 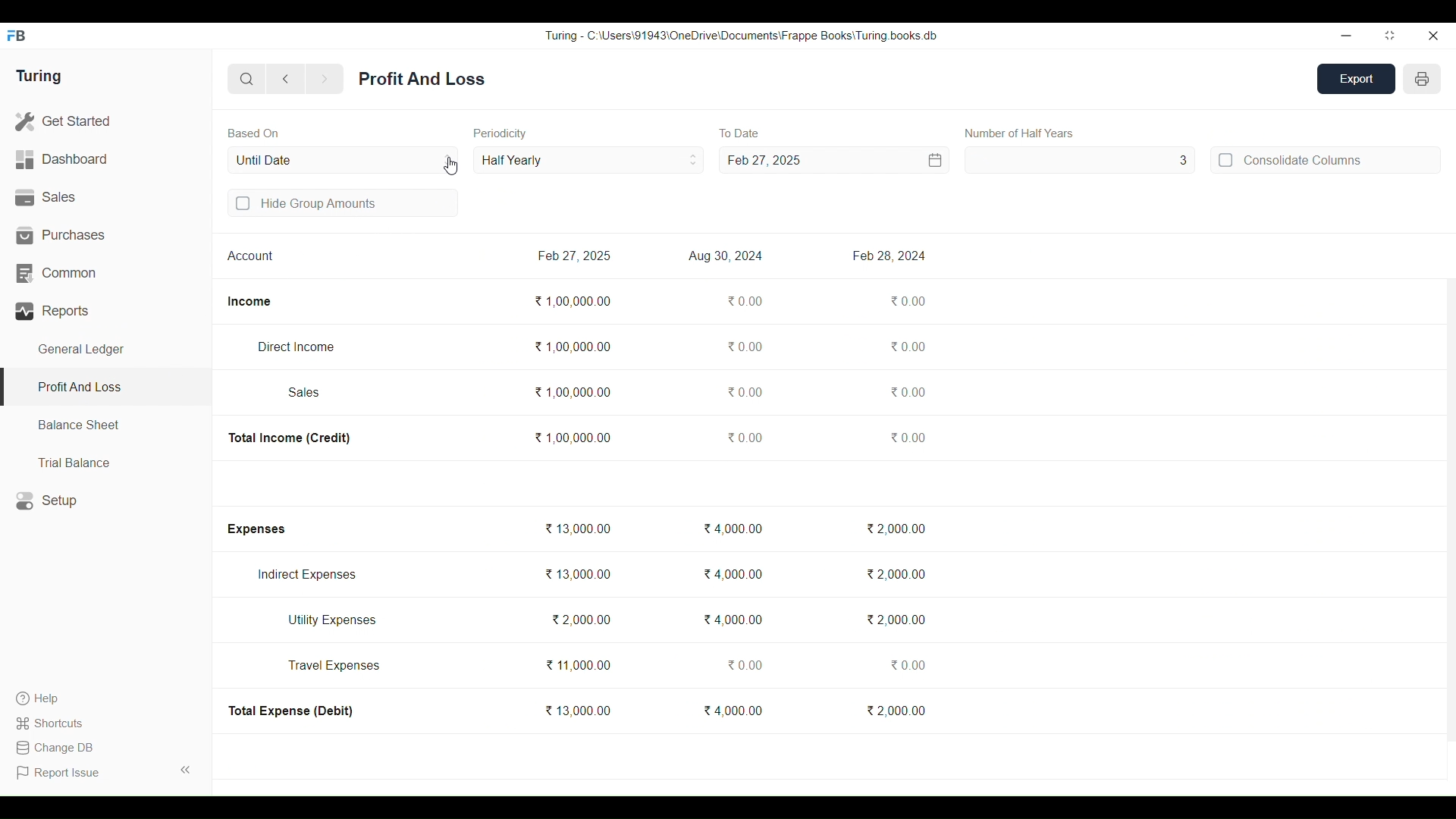 What do you see at coordinates (573, 256) in the screenshot?
I see `Feb 27, 2025` at bounding box center [573, 256].